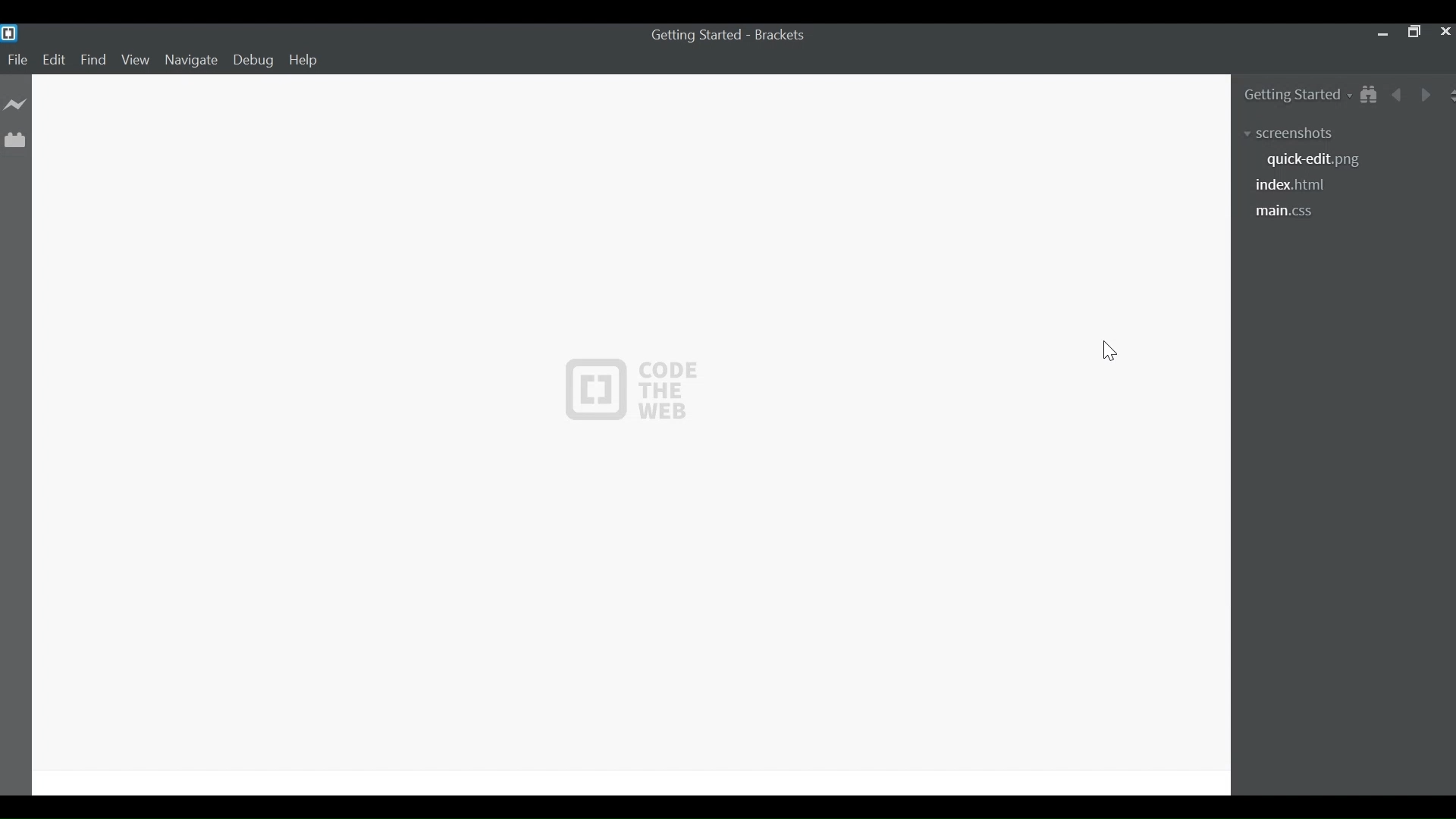  Describe the element at coordinates (13, 137) in the screenshot. I see `Manage Extensions` at that location.